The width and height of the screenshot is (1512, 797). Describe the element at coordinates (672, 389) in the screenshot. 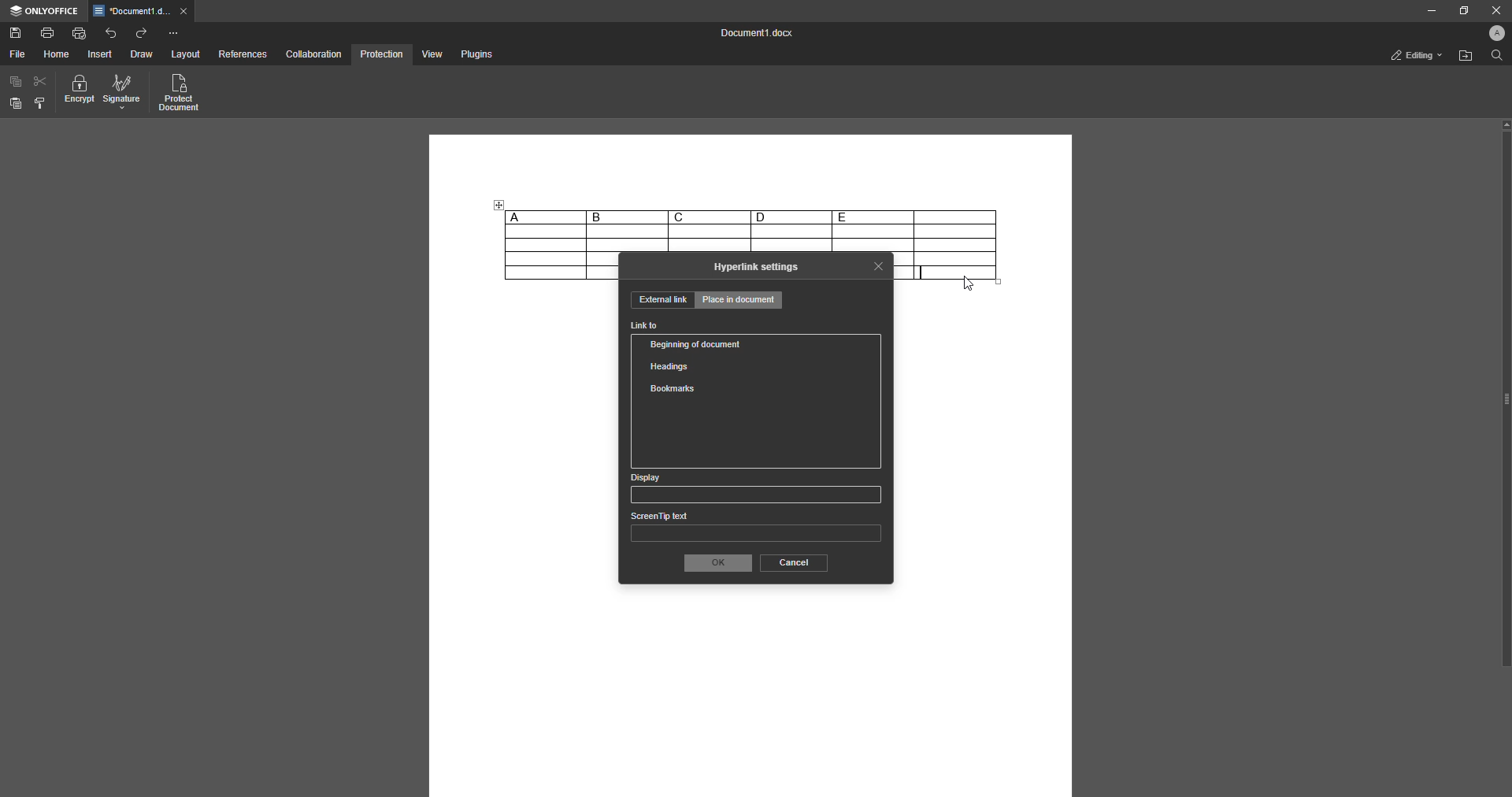

I see `Bookmarks` at that location.